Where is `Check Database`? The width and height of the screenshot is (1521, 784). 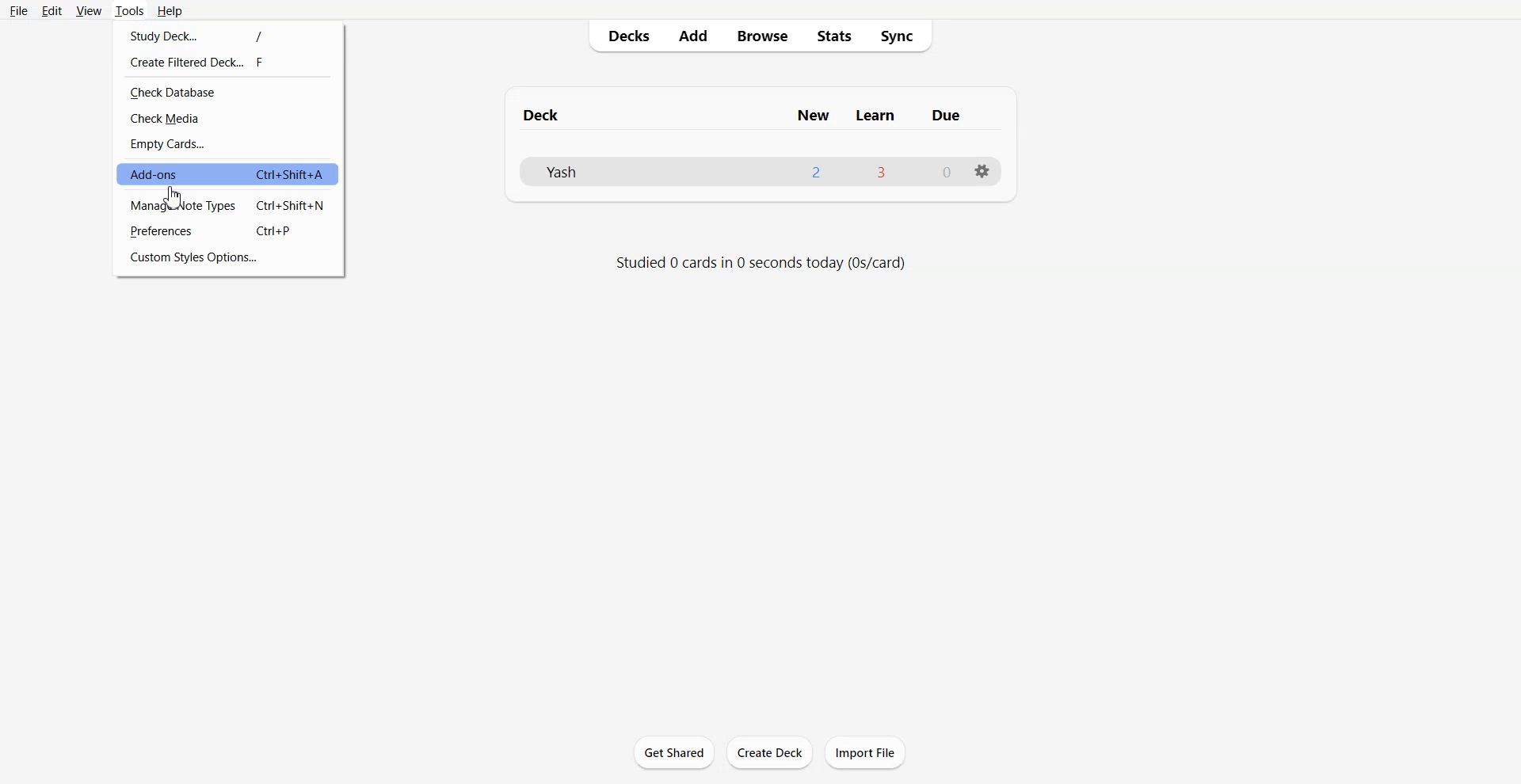 Check Database is located at coordinates (227, 91).